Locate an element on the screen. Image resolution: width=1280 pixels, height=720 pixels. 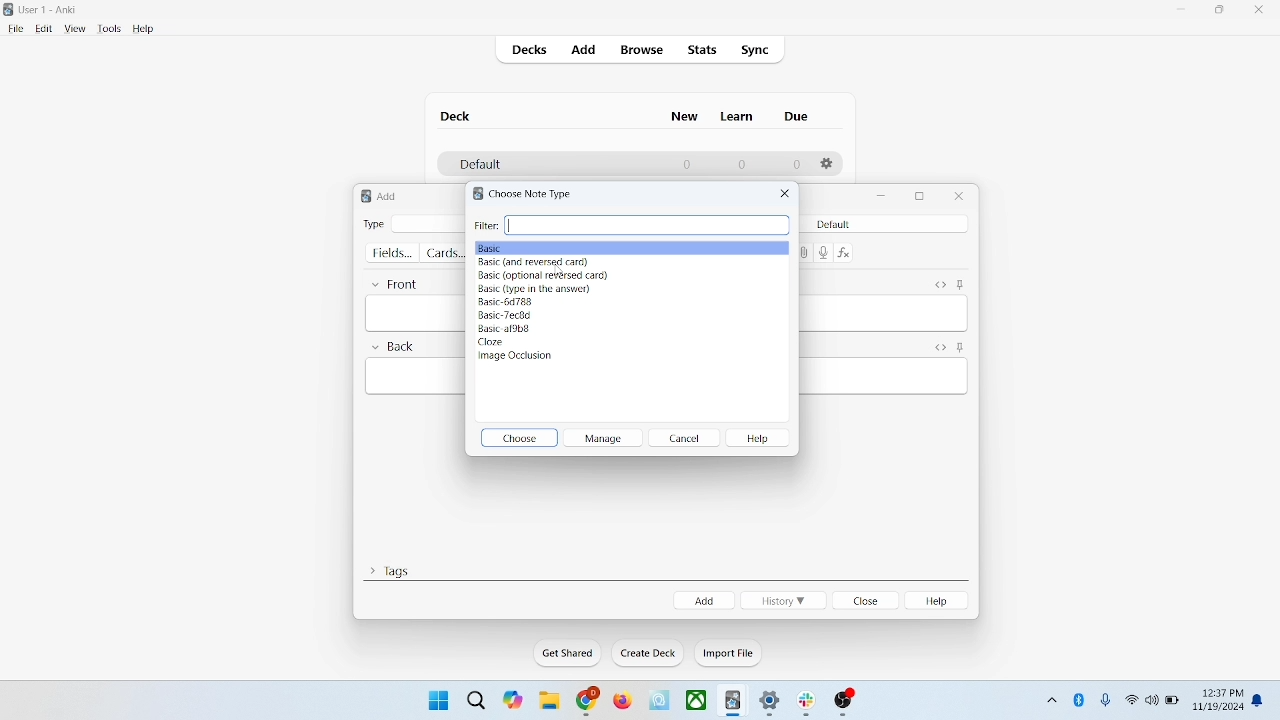
manage is located at coordinates (602, 437).